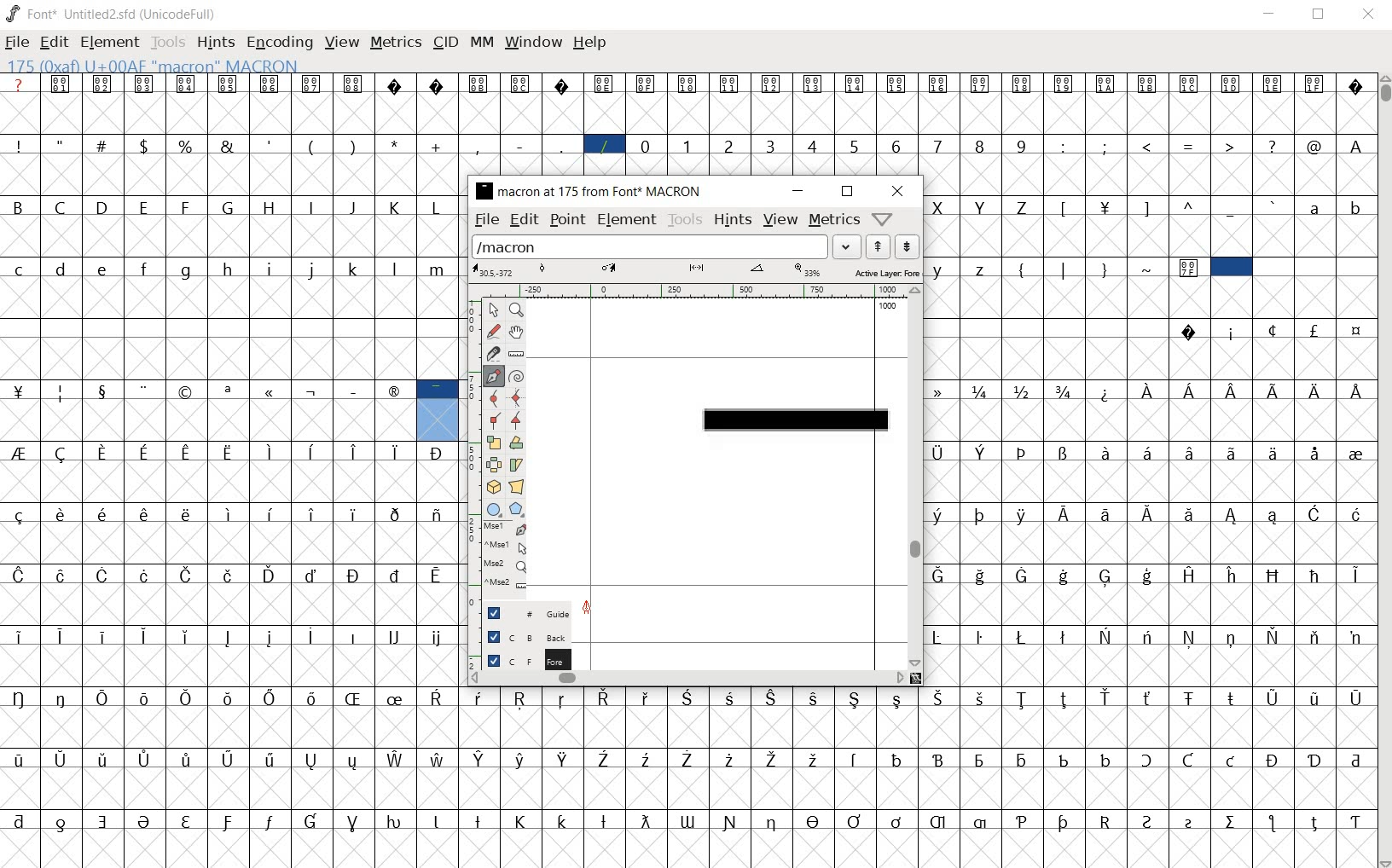 This screenshot has width=1392, height=868. Describe the element at coordinates (356, 146) in the screenshot. I see `)` at that location.